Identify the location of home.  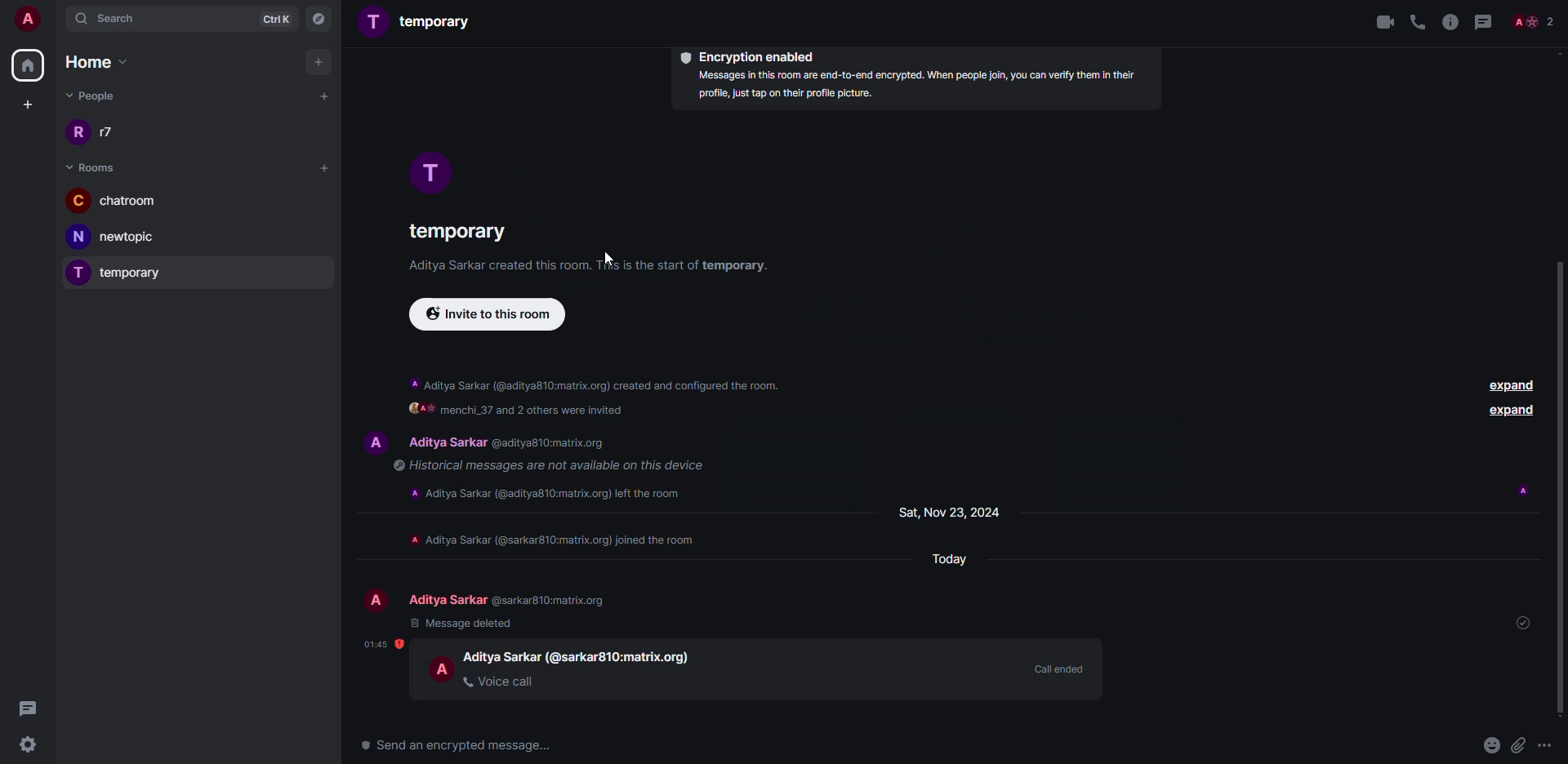
(29, 65).